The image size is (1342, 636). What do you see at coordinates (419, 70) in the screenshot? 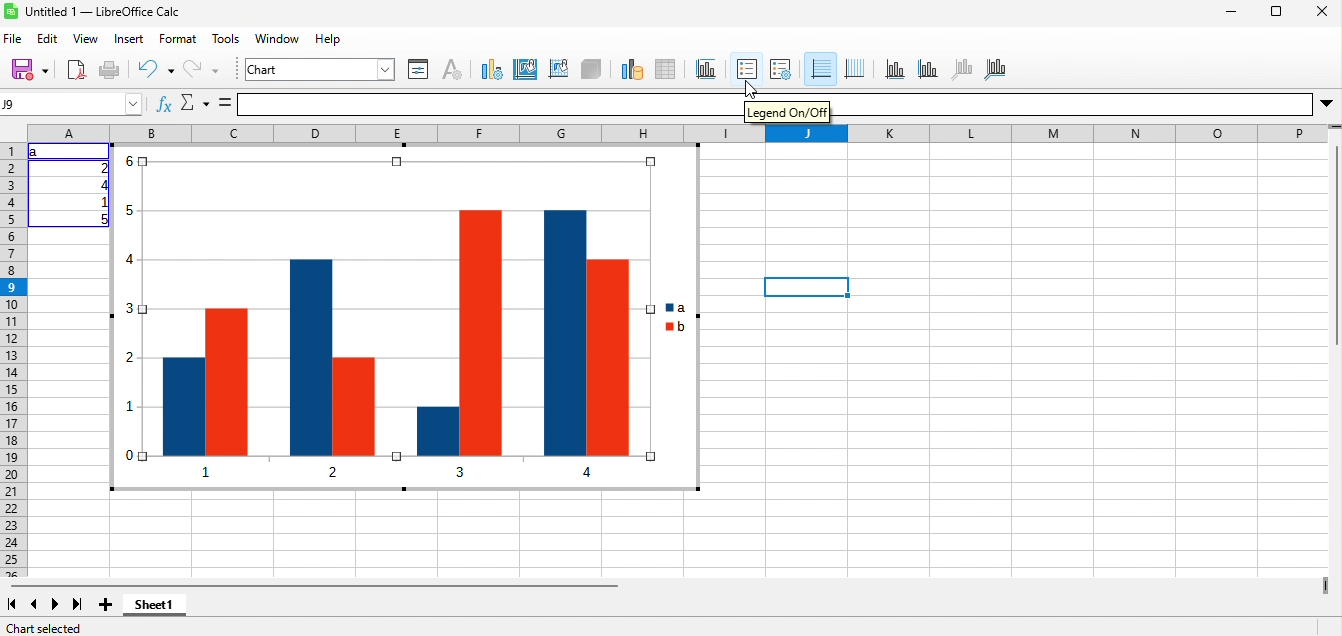
I see `format selection` at bounding box center [419, 70].